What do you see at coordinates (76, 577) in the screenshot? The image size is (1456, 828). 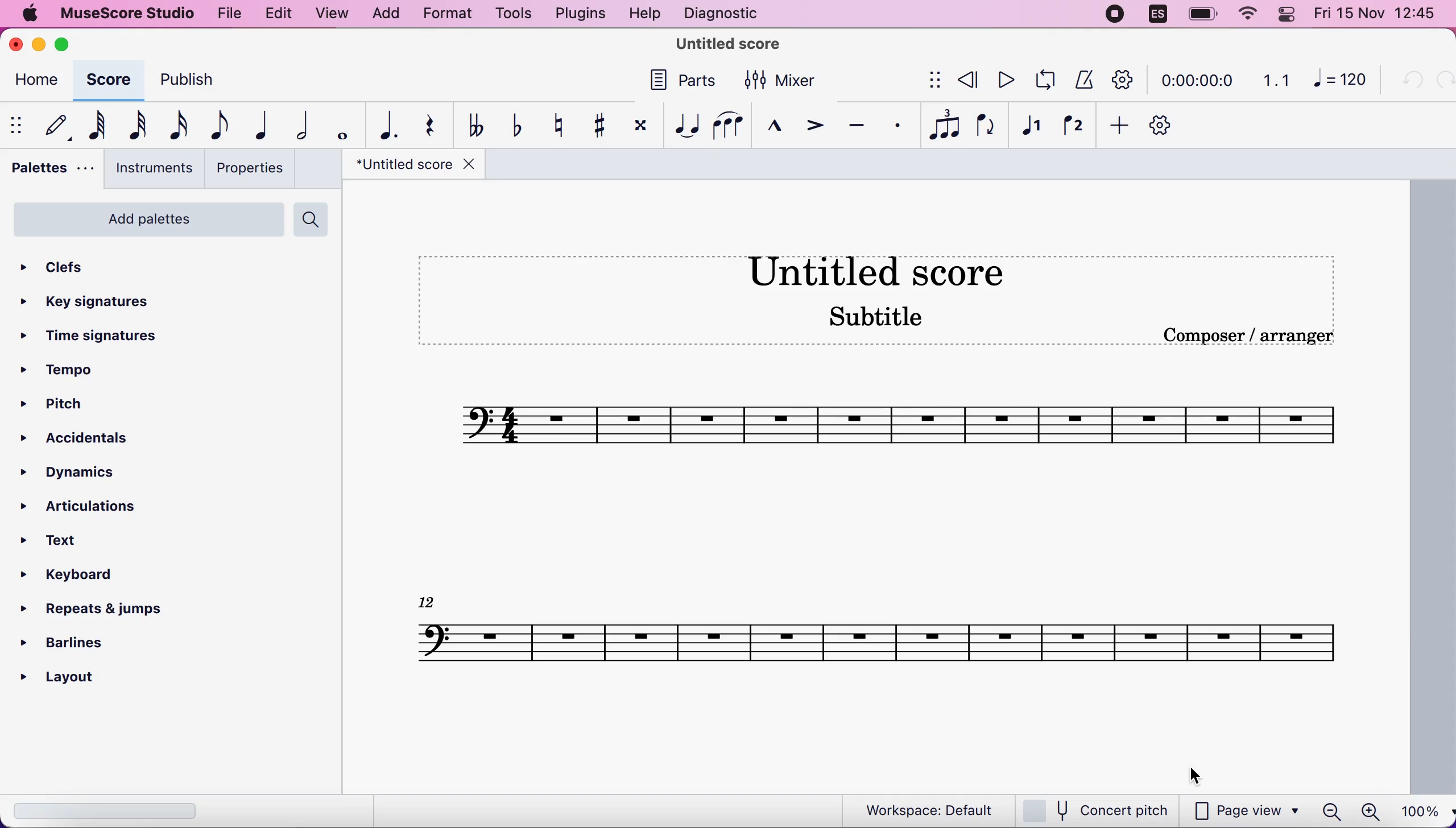 I see `keyboard` at bounding box center [76, 577].